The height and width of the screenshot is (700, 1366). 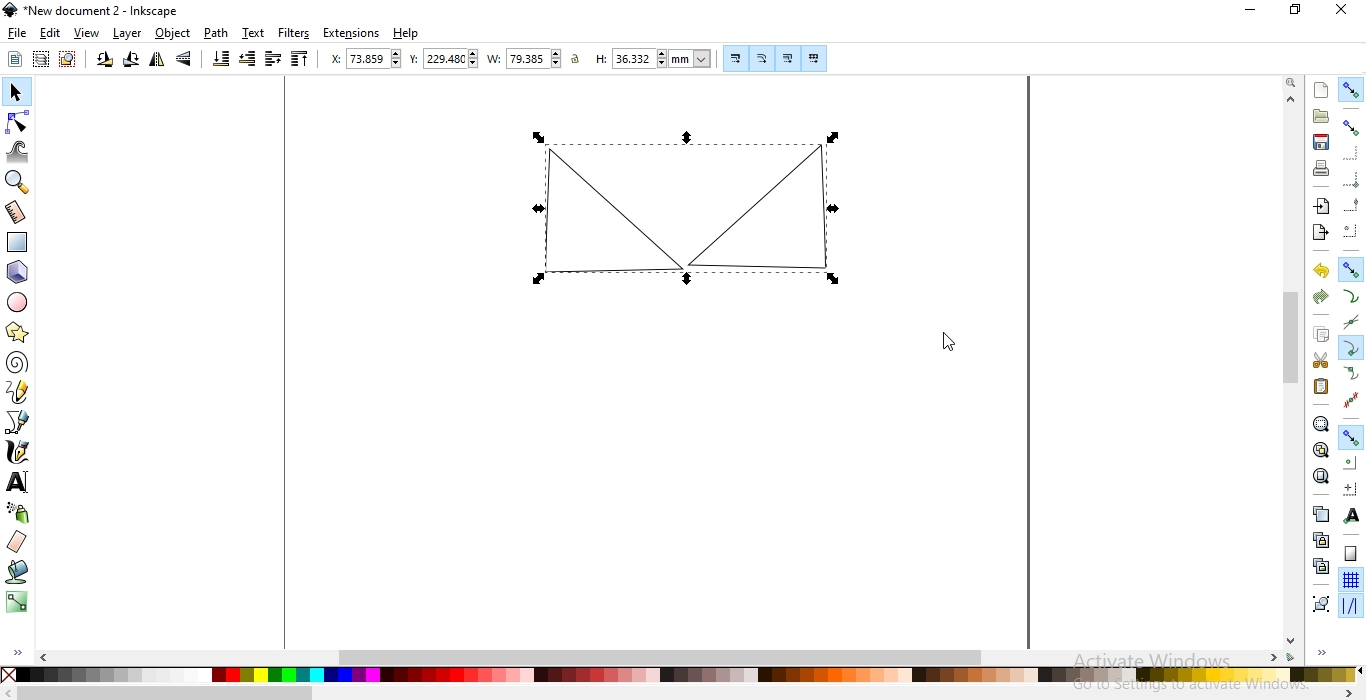 I want to click on snap text anchors and baselines, so click(x=1353, y=514).